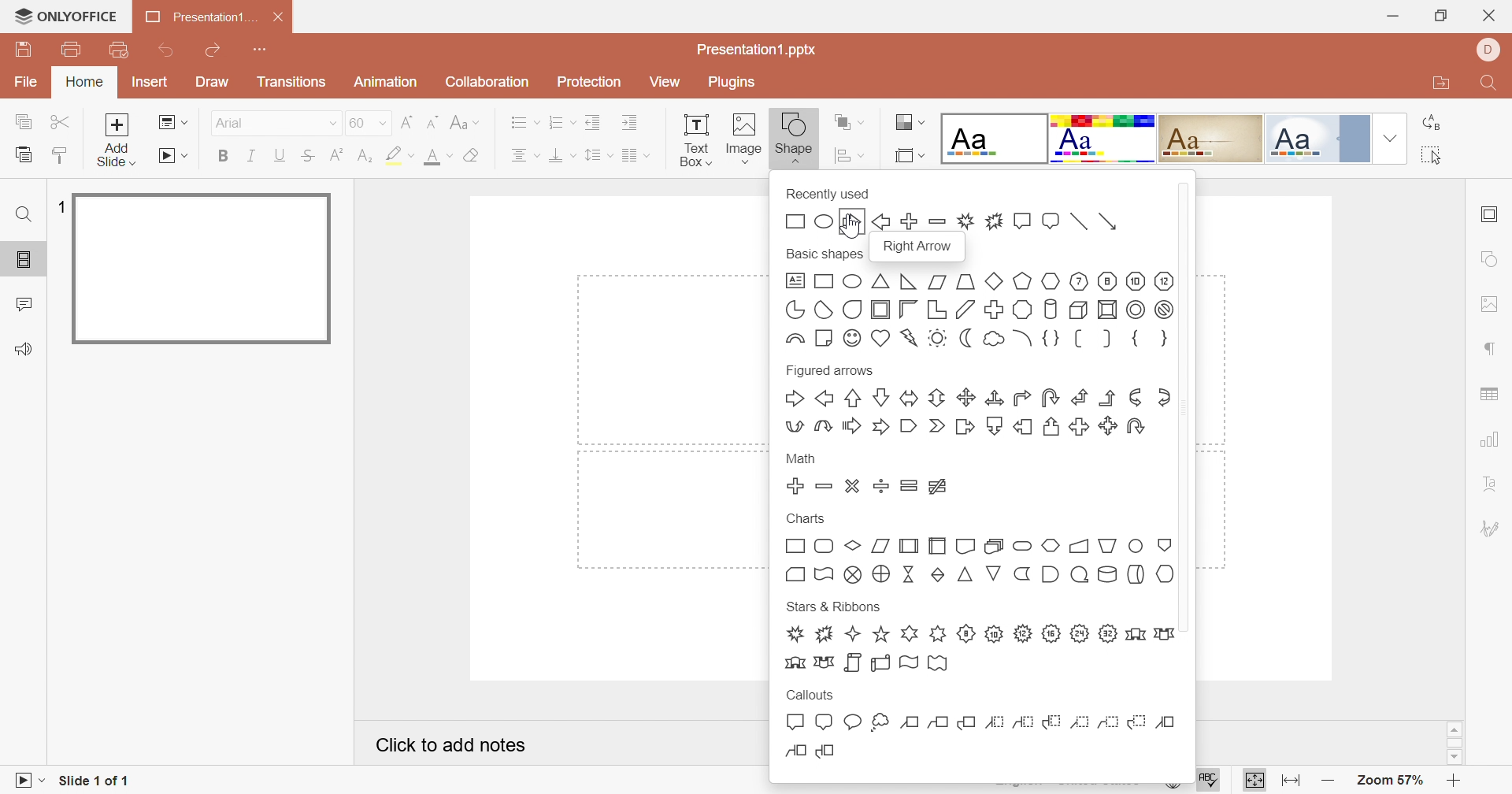 The width and height of the screenshot is (1512, 794). I want to click on Start slideshow, so click(23, 781).